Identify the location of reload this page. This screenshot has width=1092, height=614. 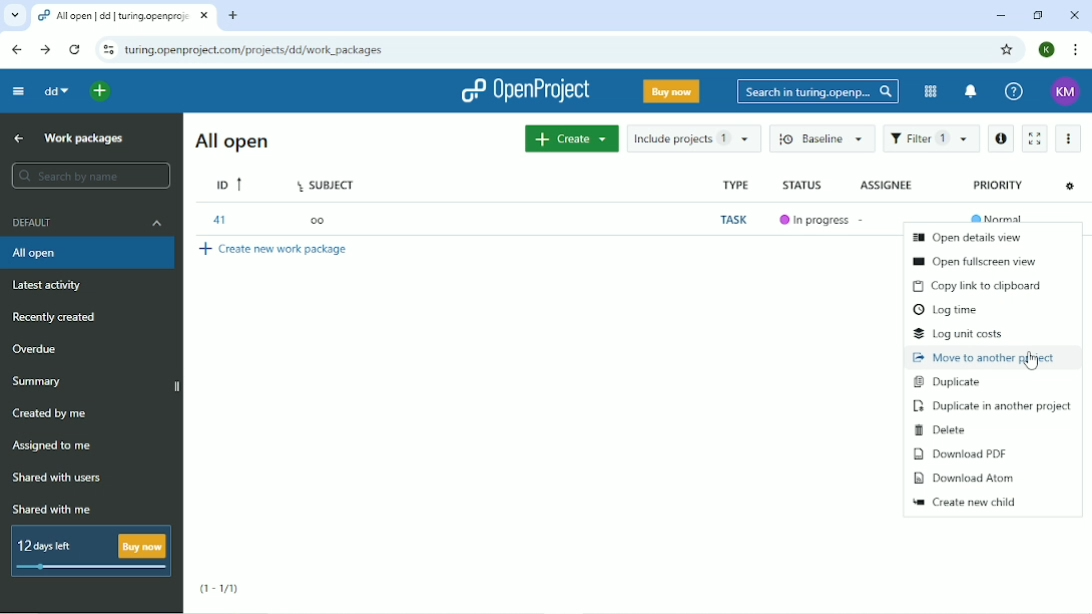
(76, 50).